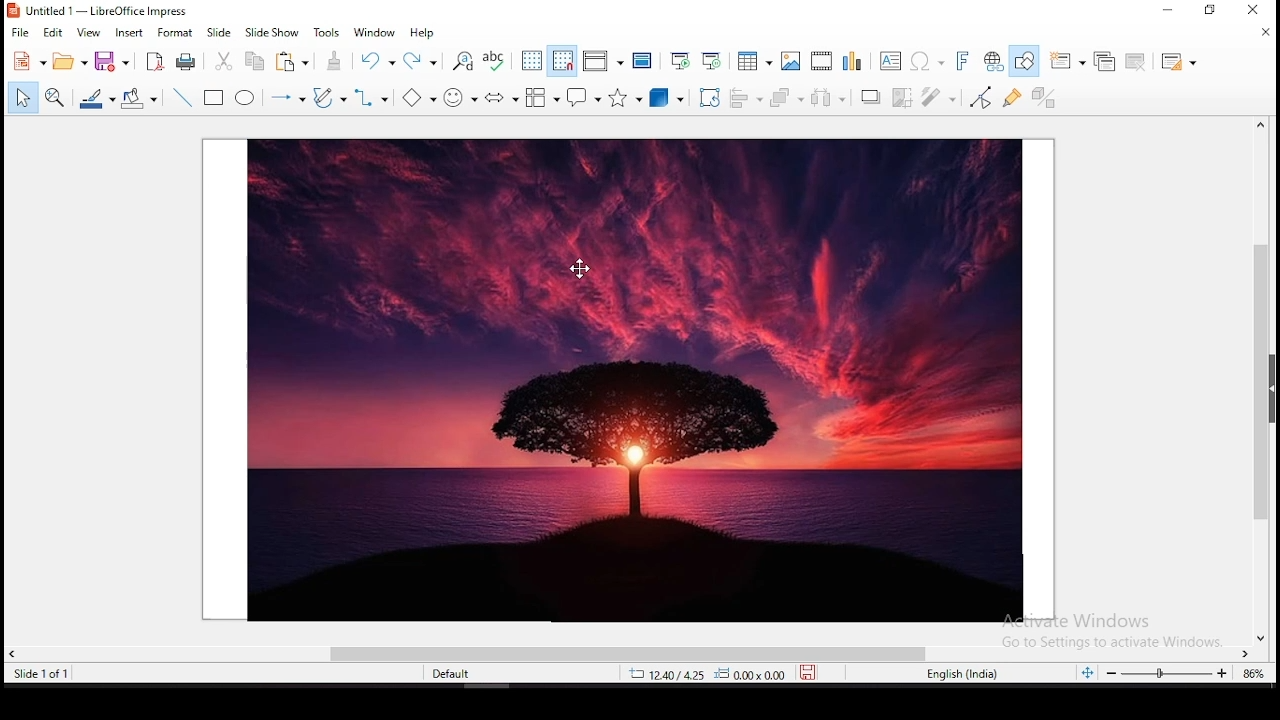 This screenshot has width=1280, height=720. What do you see at coordinates (631, 652) in the screenshot?
I see `scroll bar` at bounding box center [631, 652].